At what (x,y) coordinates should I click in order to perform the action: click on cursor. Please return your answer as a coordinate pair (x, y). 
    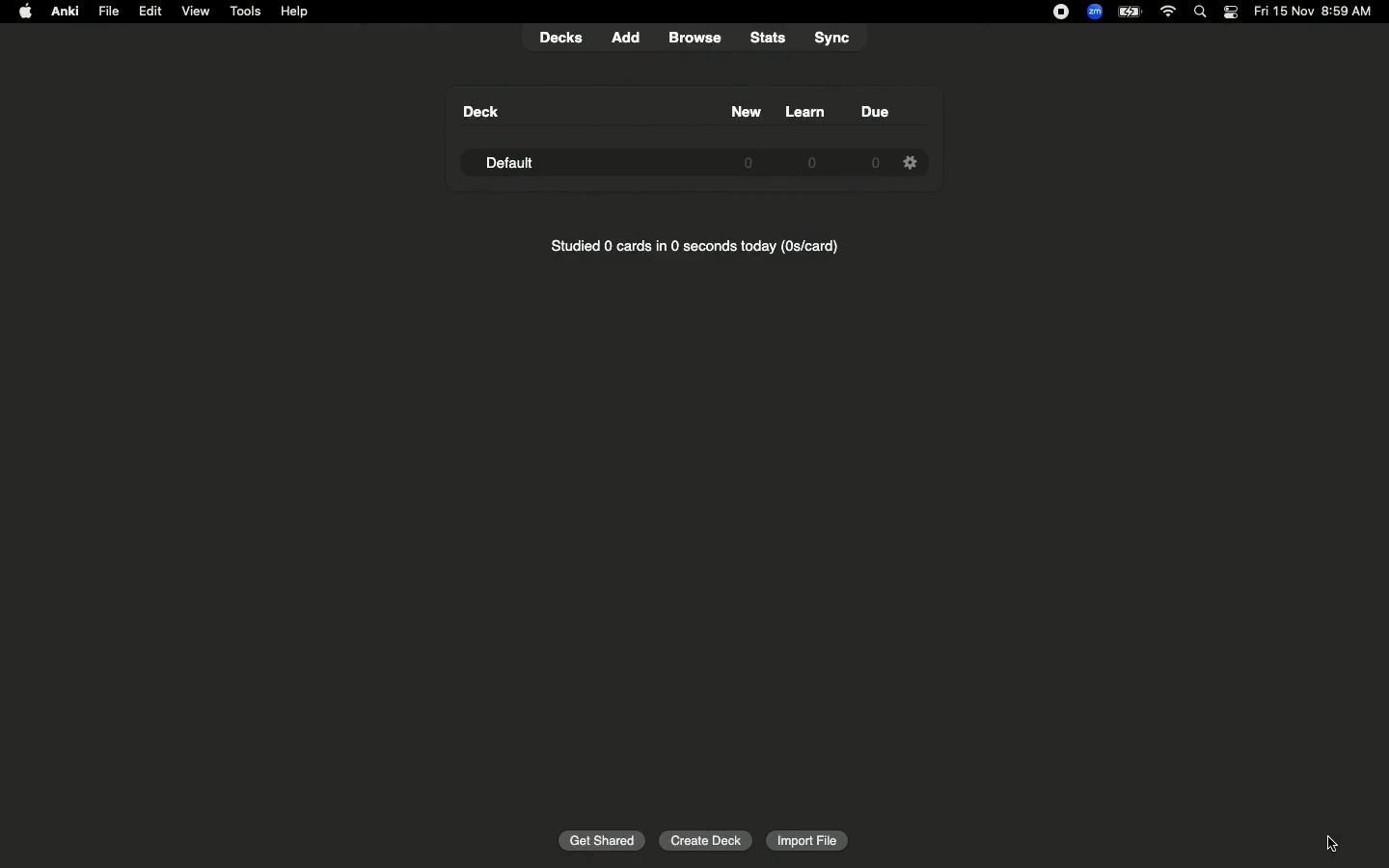
    Looking at the image, I should click on (1337, 843).